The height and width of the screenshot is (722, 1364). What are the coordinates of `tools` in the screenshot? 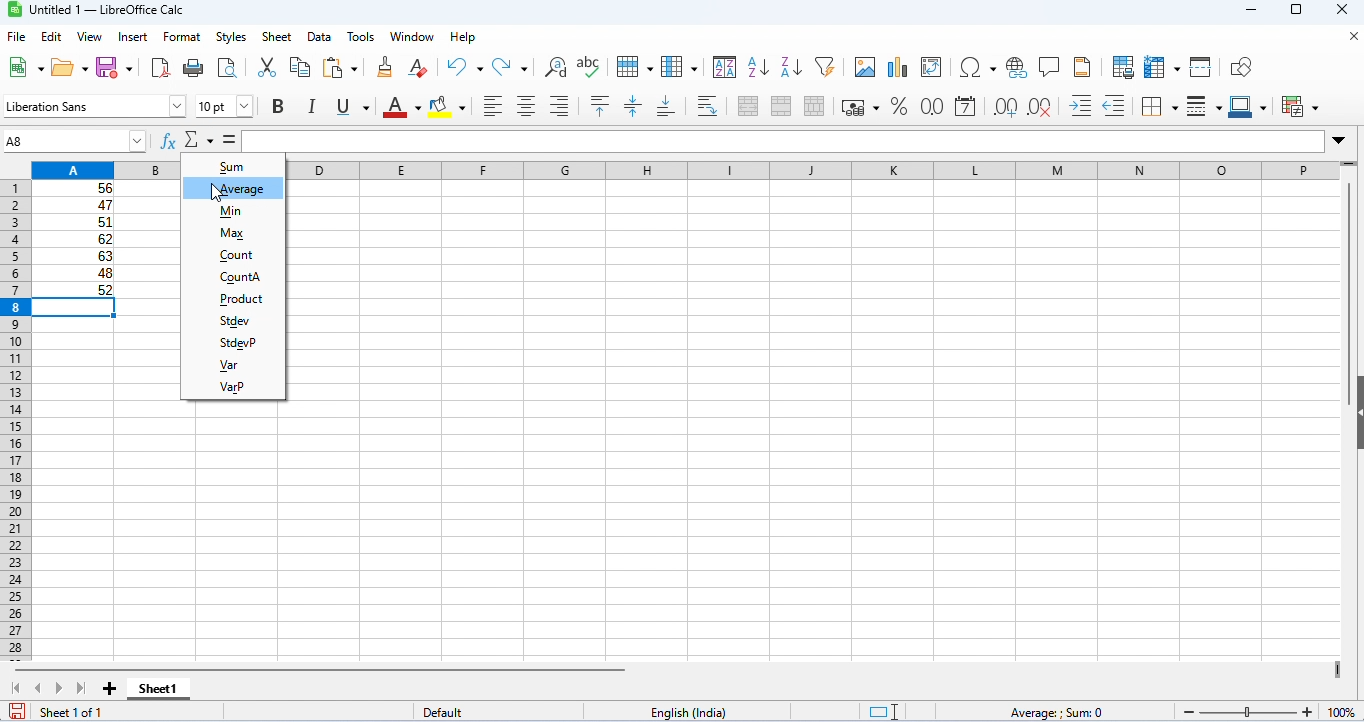 It's located at (361, 37).